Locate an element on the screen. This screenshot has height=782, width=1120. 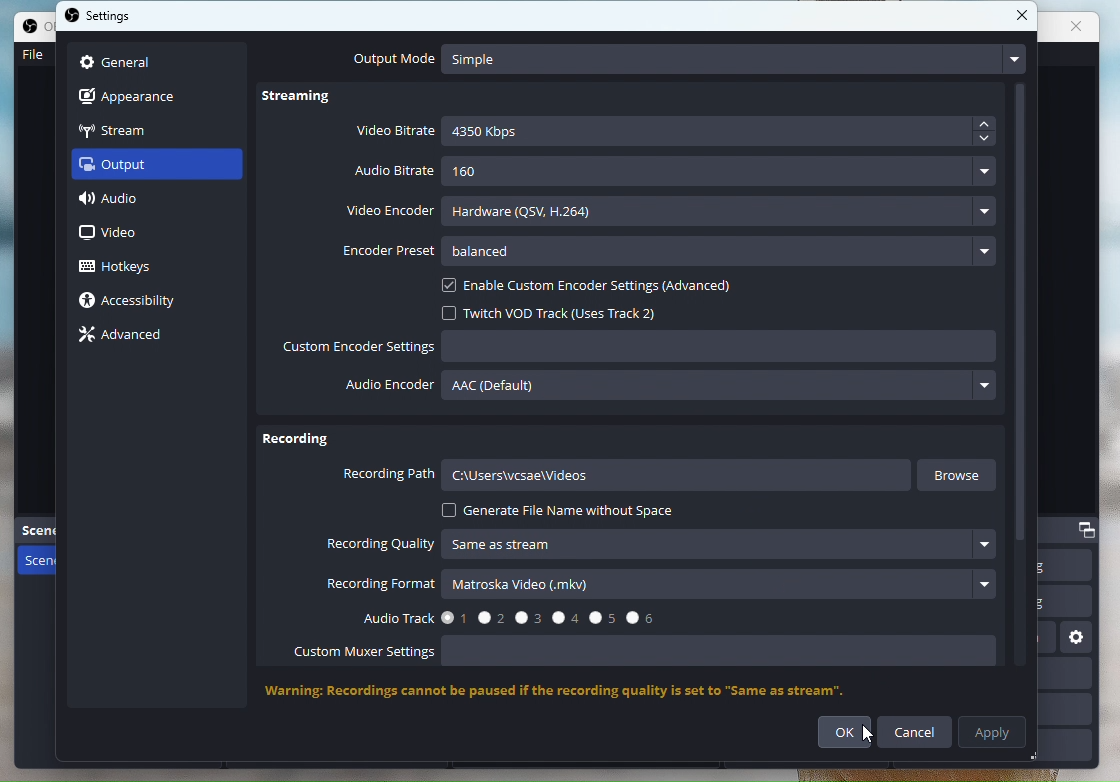
Cancel is located at coordinates (917, 732).